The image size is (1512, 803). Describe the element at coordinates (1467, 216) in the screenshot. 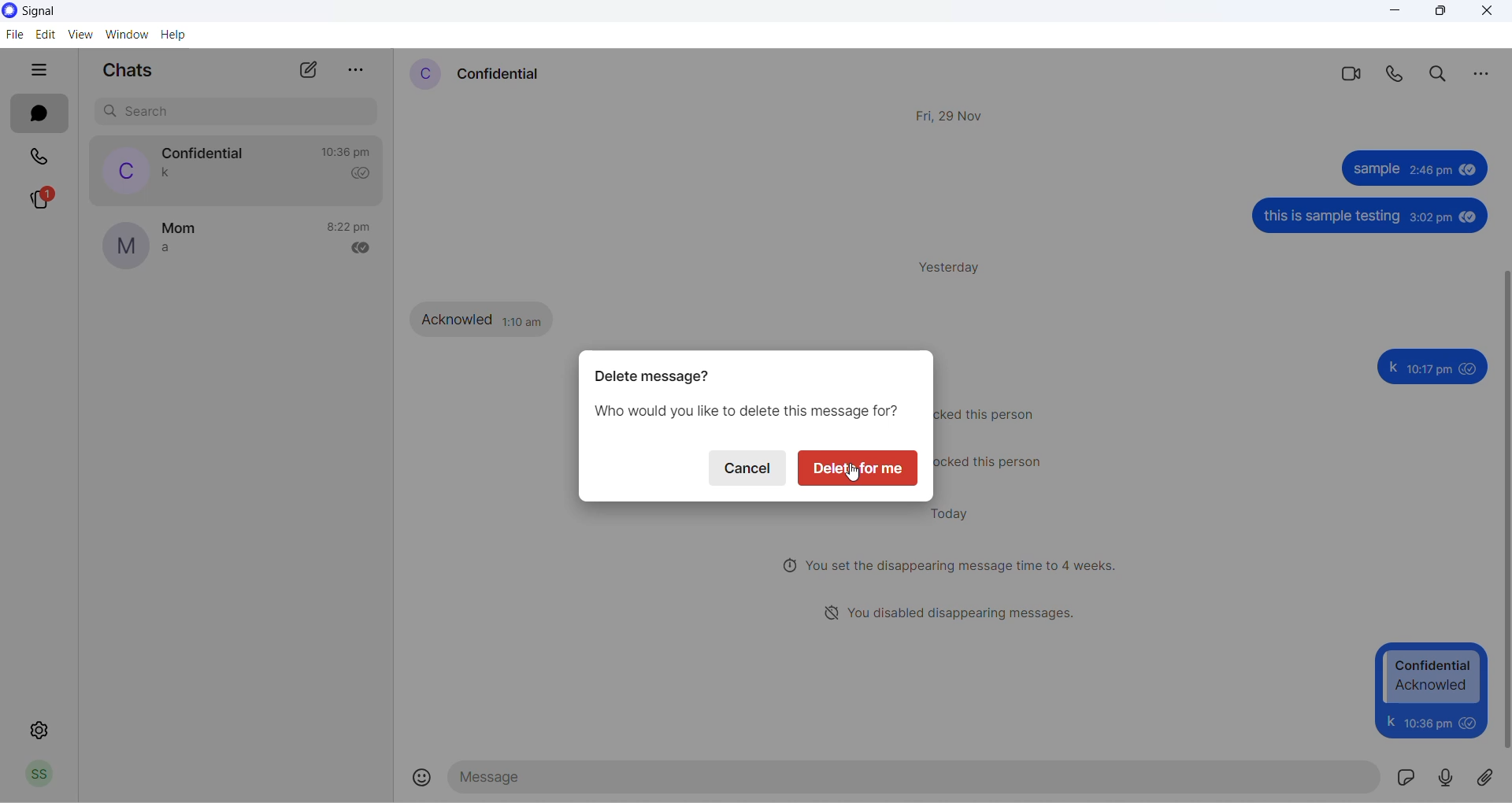

I see `seen` at that location.